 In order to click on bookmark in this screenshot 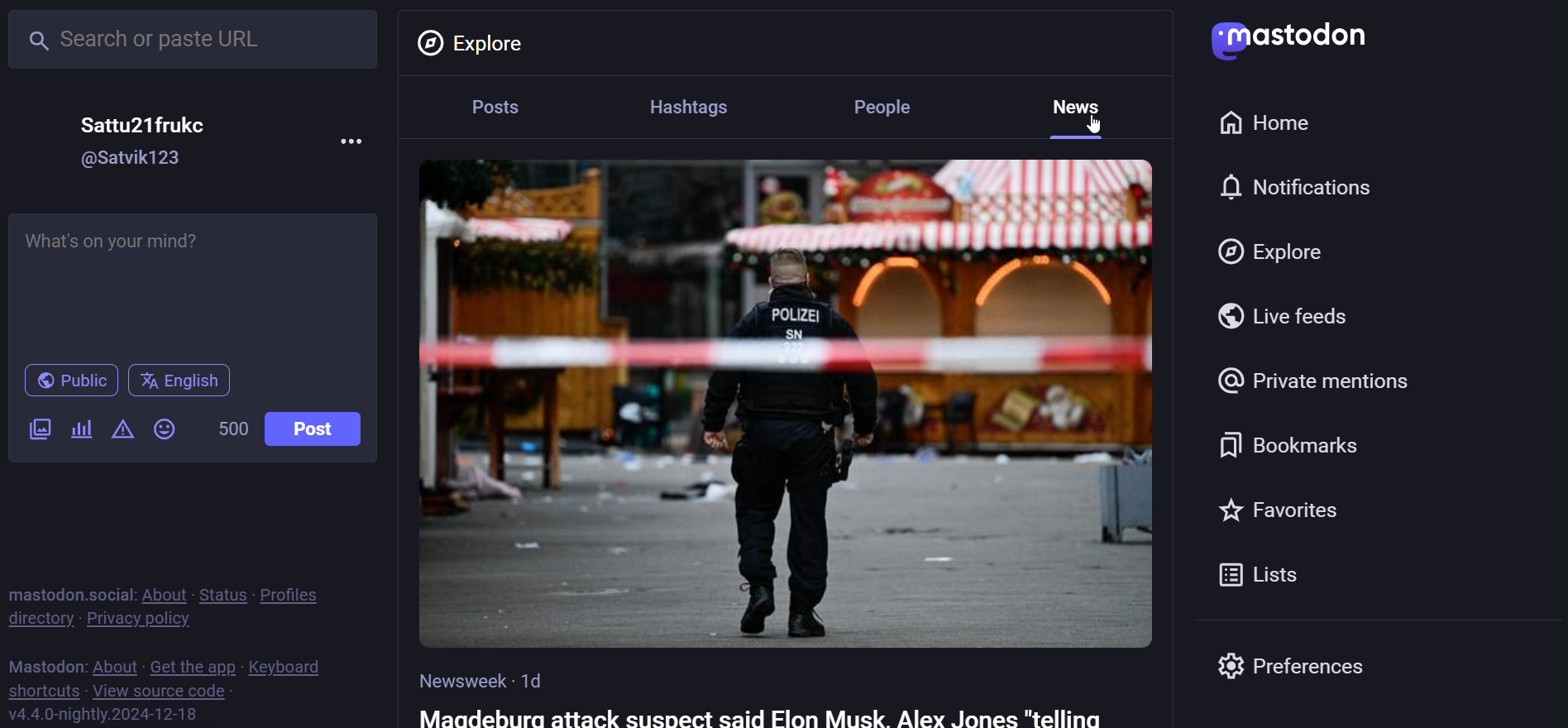, I will do `click(1297, 442)`.